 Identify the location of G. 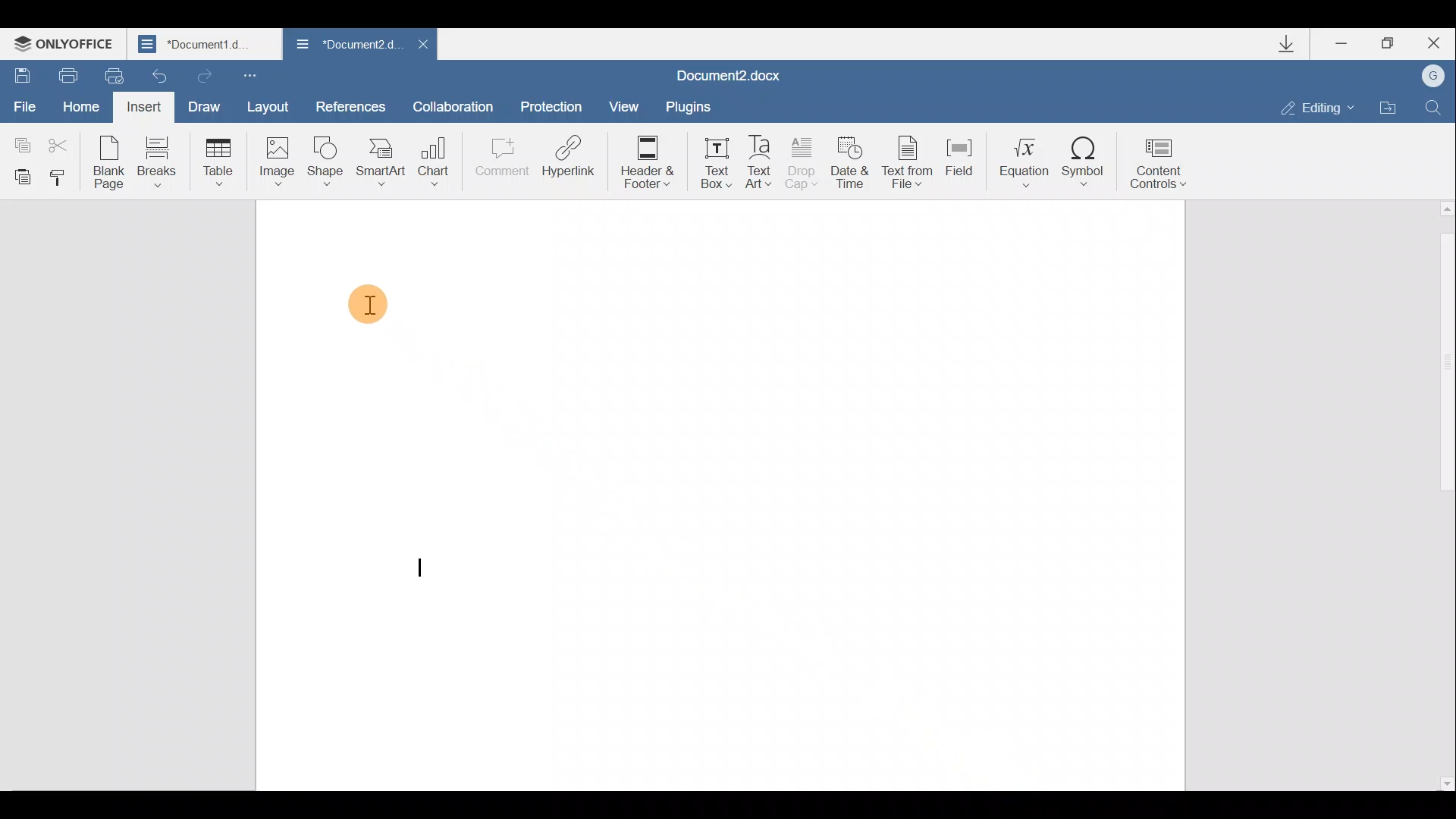
(1435, 75).